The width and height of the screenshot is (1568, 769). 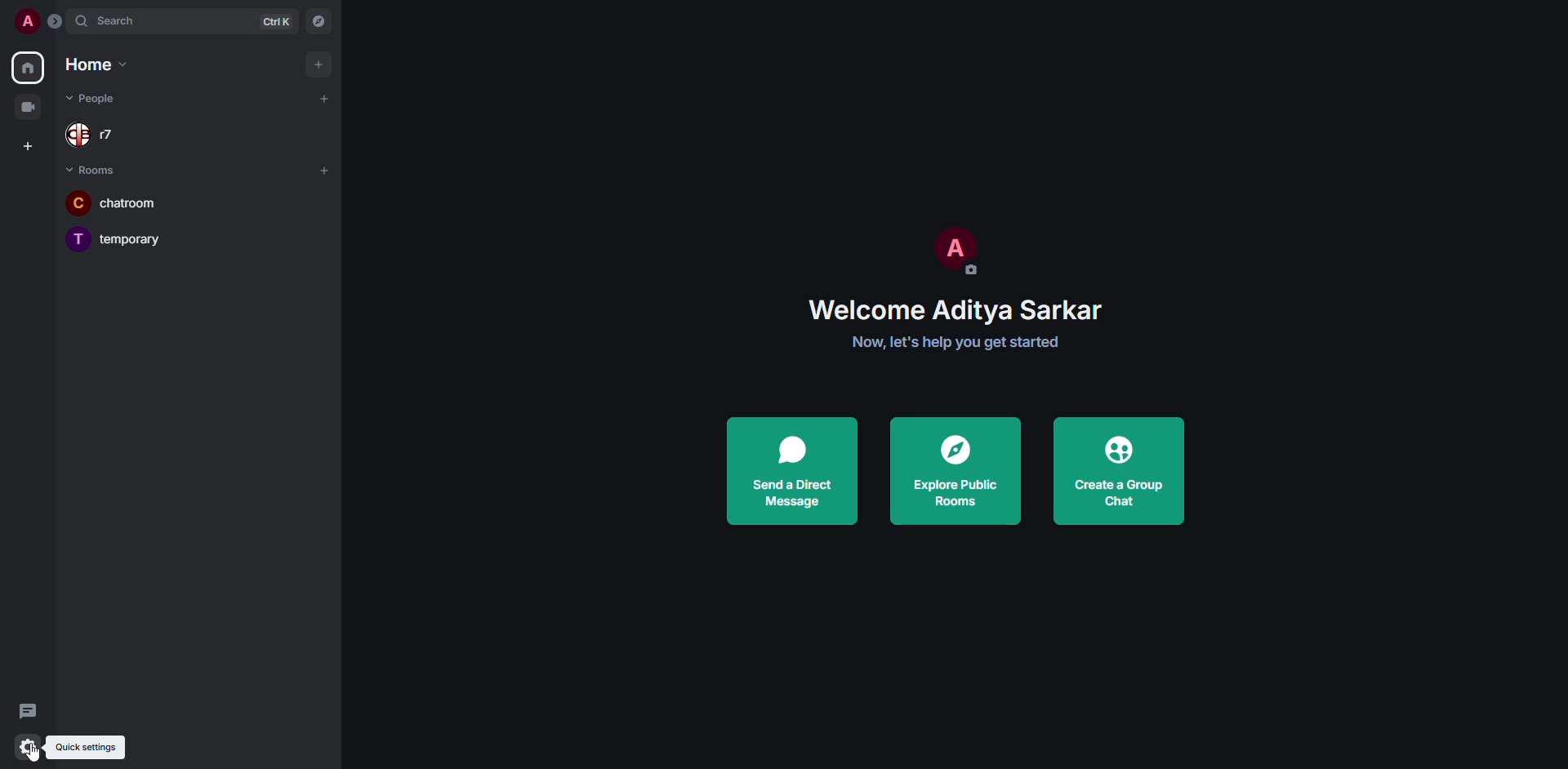 I want to click on create a group chat, so click(x=1118, y=475).